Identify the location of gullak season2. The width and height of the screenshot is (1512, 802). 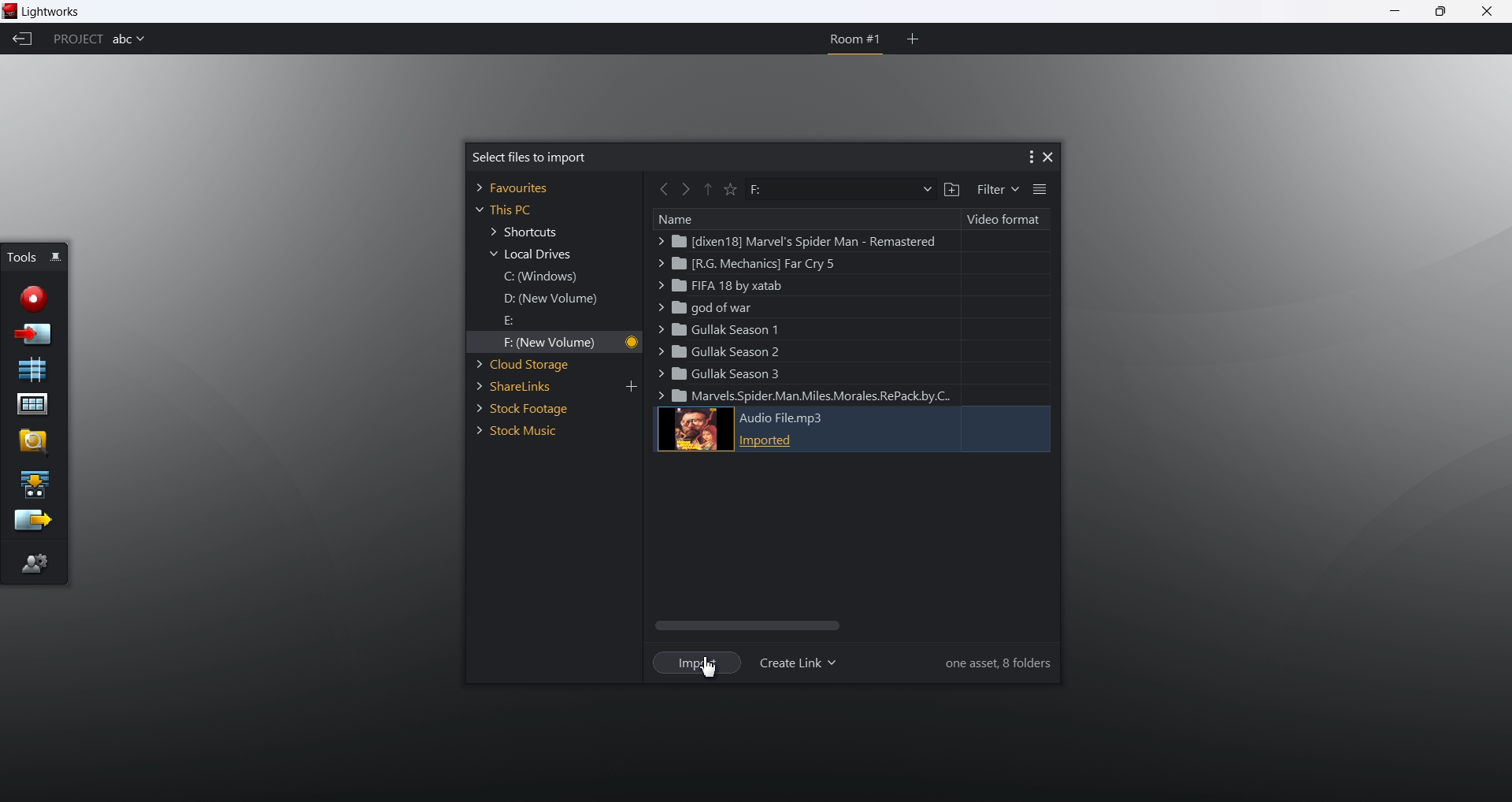
(719, 352).